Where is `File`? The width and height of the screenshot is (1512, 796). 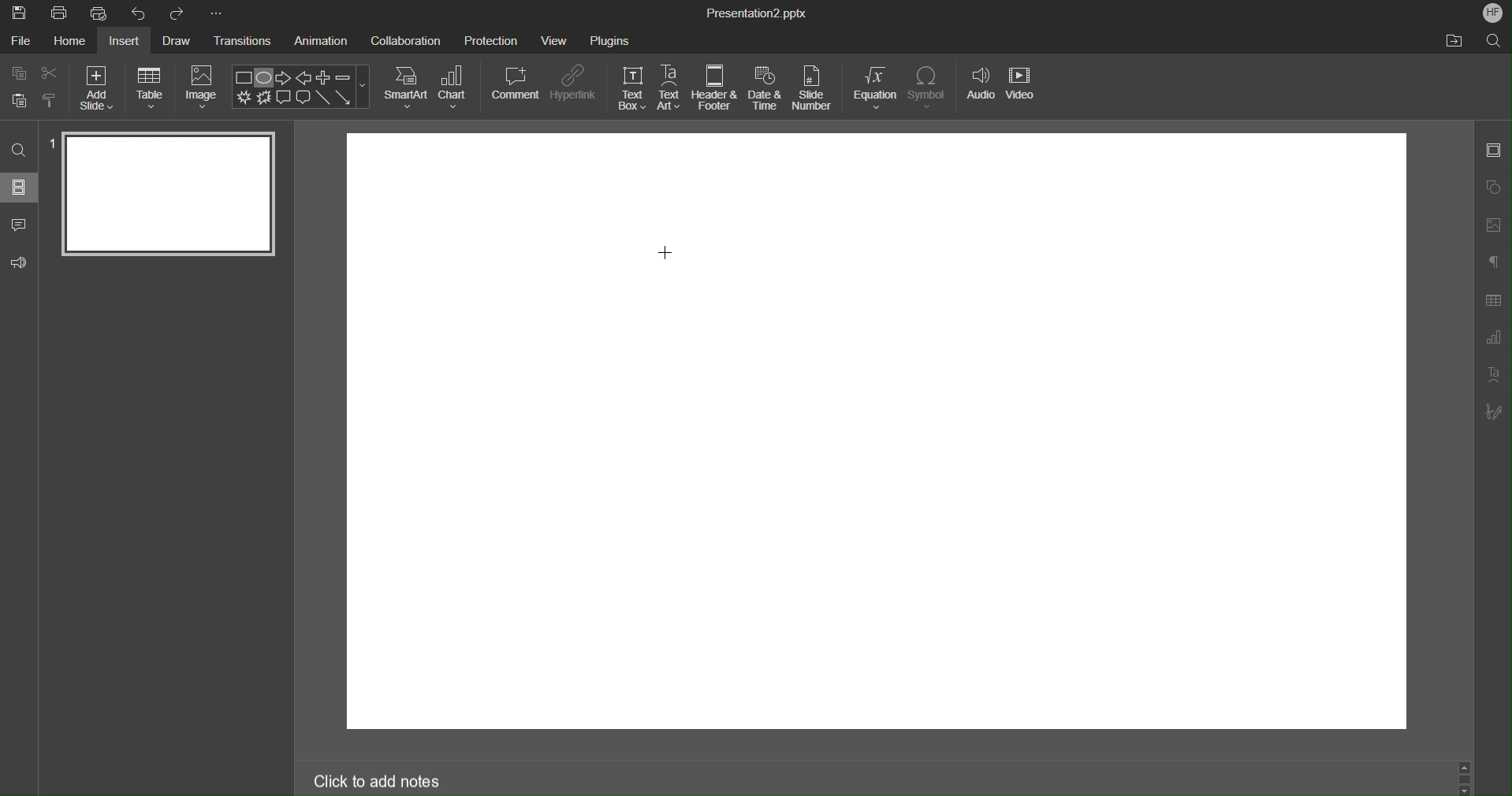
File is located at coordinates (20, 42).